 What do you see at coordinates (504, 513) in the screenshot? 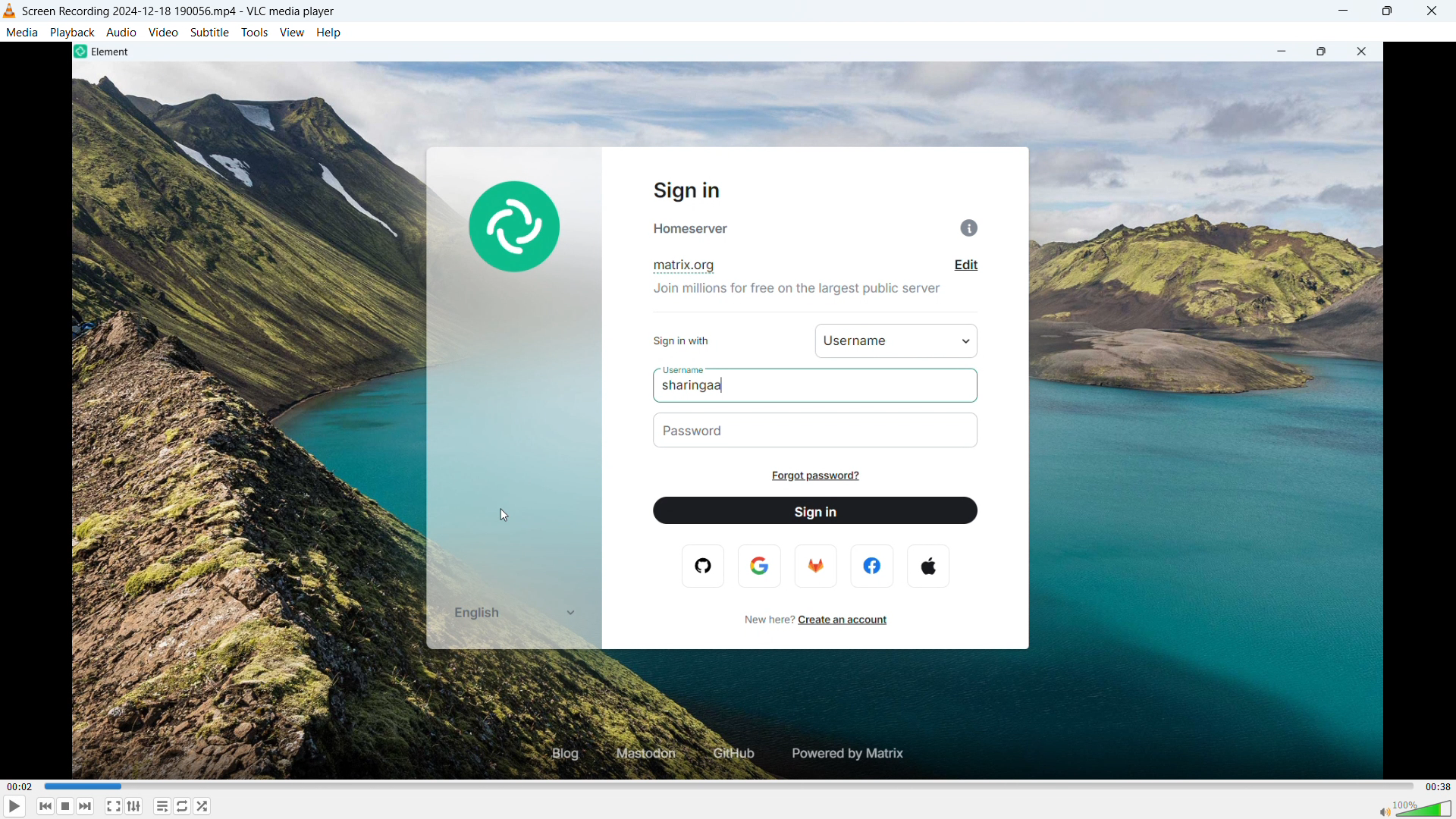
I see `cursor` at bounding box center [504, 513].